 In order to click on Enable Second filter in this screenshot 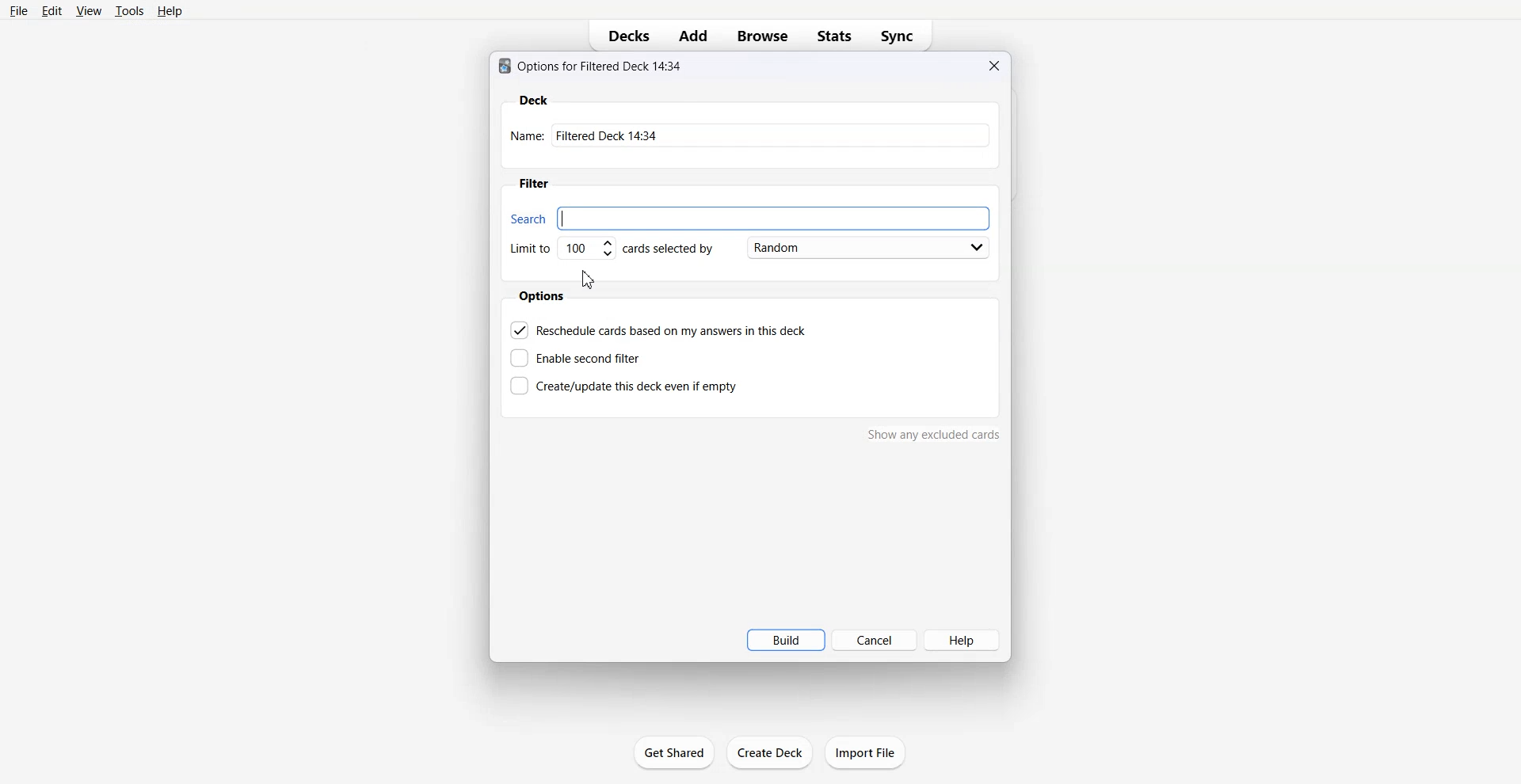, I will do `click(575, 358)`.